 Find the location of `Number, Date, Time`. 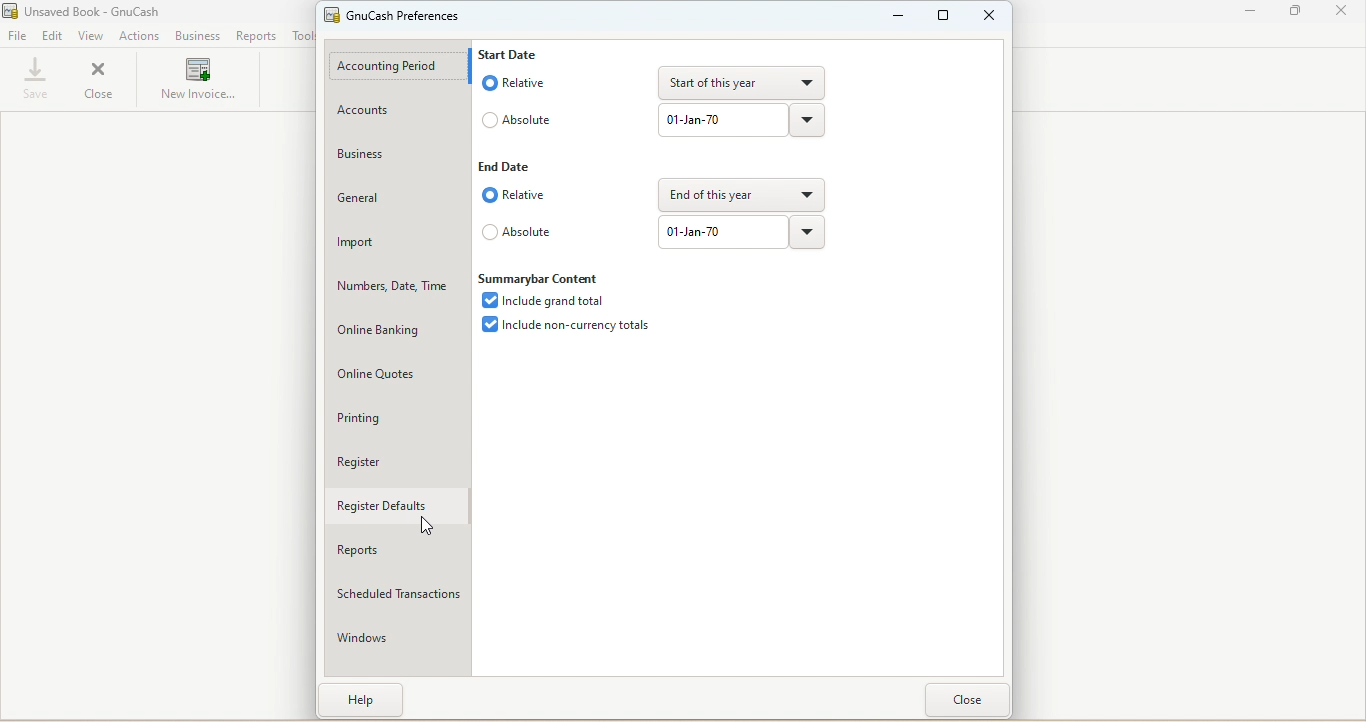

Number, Date, Time is located at coordinates (393, 287).